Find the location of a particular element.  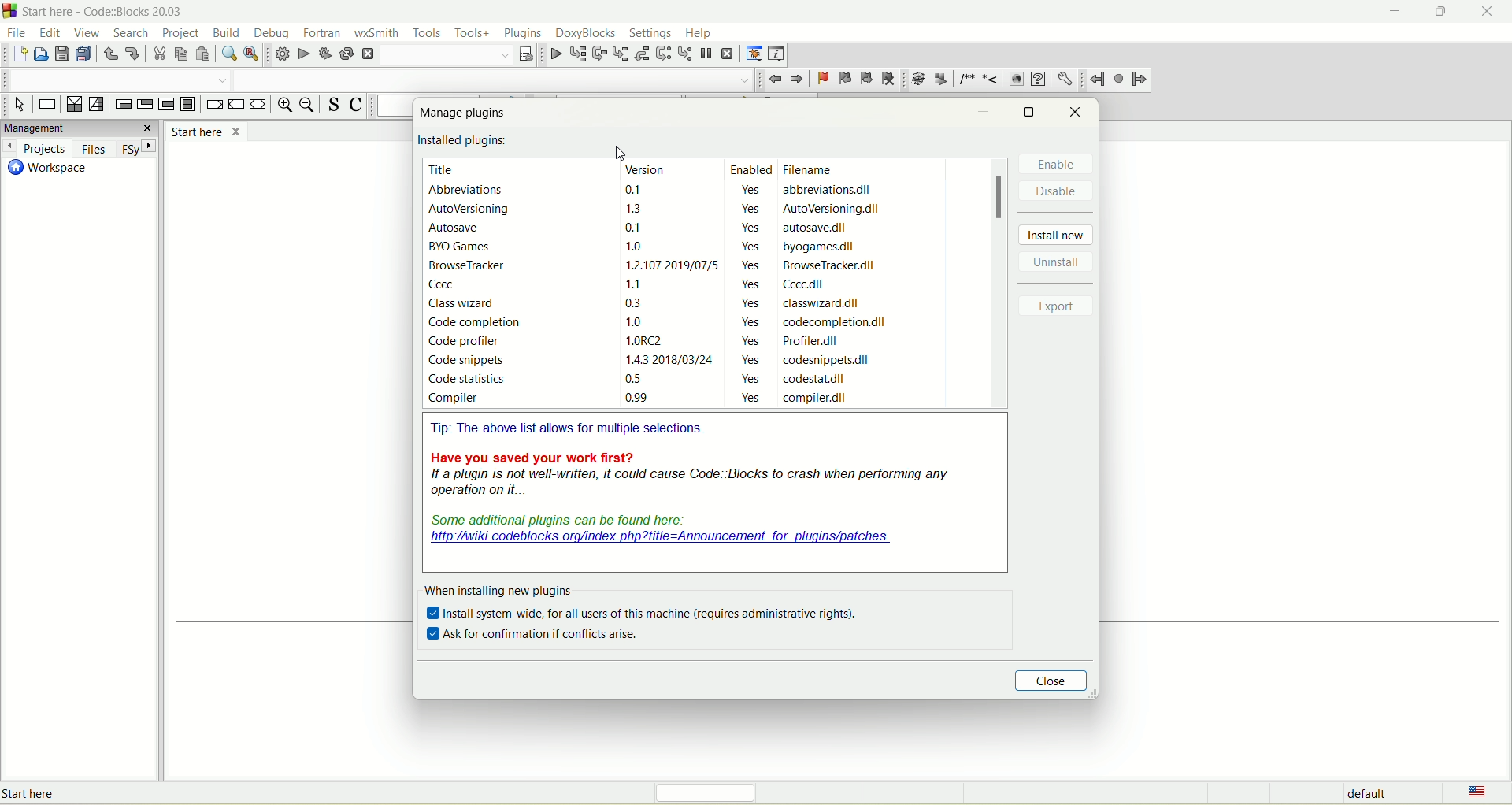

abort debugger is located at coordinates (728, 53).